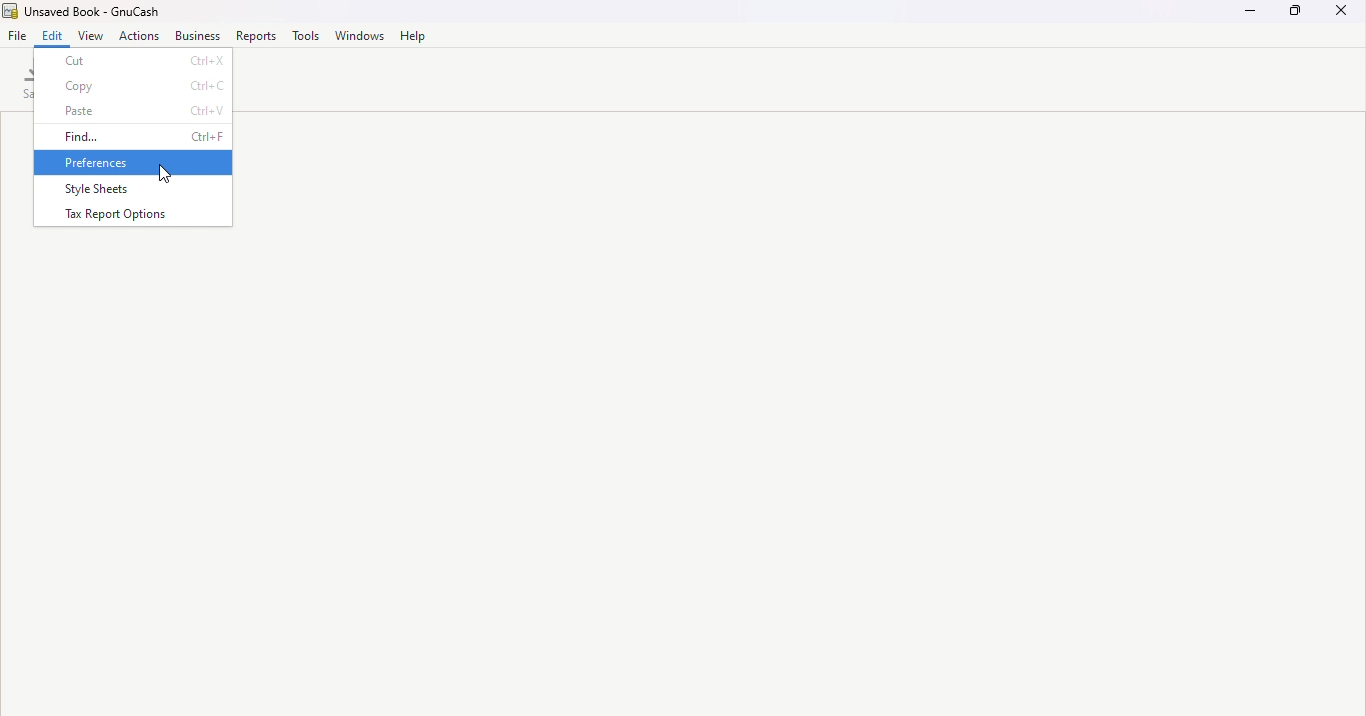 Image resolution: width=1366 pixels, height=716 pixels. I want to click on File, so click(17, 36).